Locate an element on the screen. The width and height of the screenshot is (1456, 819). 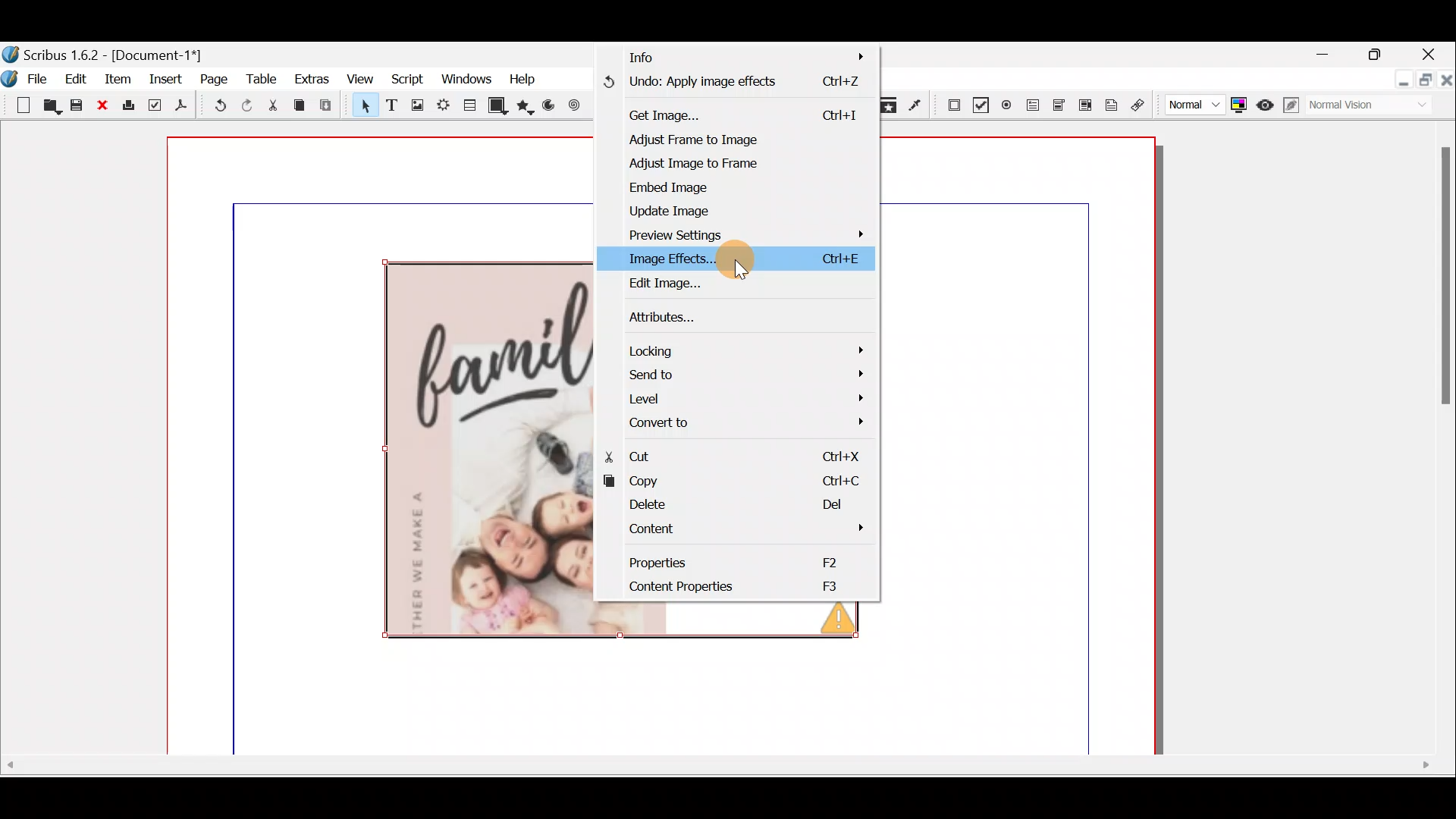
Table is located at coordinates (263, 80).